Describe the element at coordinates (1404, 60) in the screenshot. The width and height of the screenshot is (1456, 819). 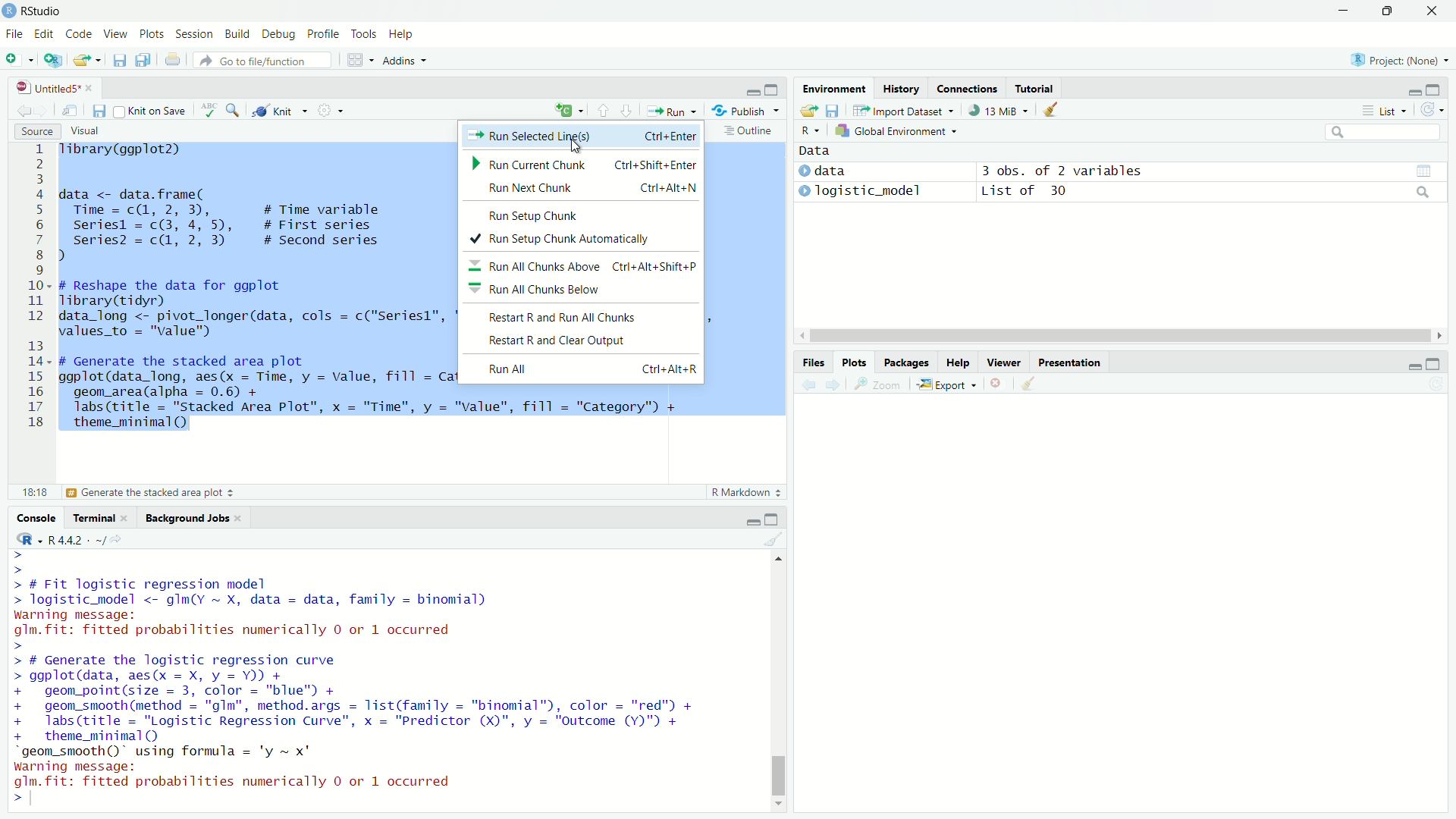
I see `Project: (None)` at that location.